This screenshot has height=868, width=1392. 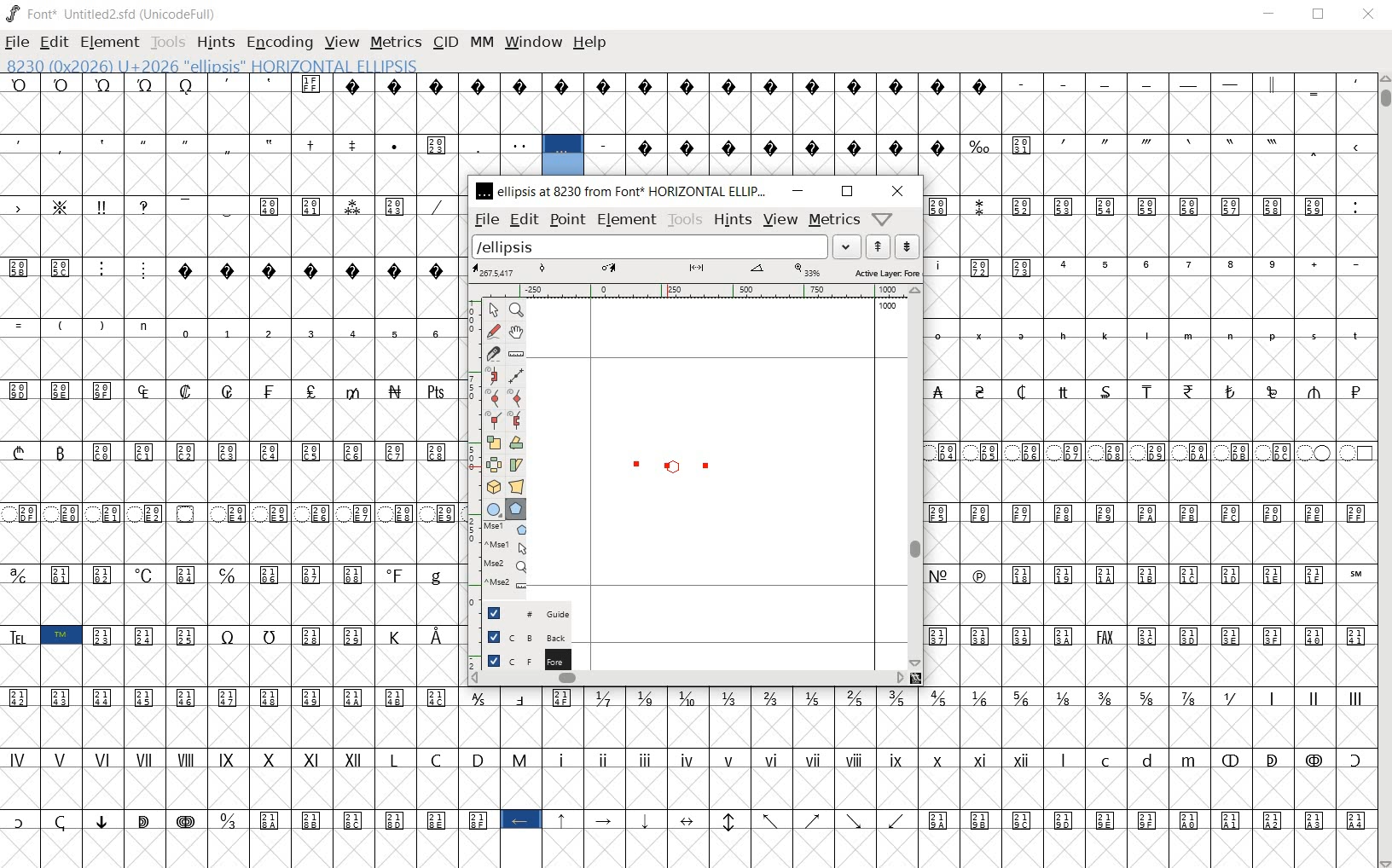 I want to click on tools, so click(x=686, y=219).